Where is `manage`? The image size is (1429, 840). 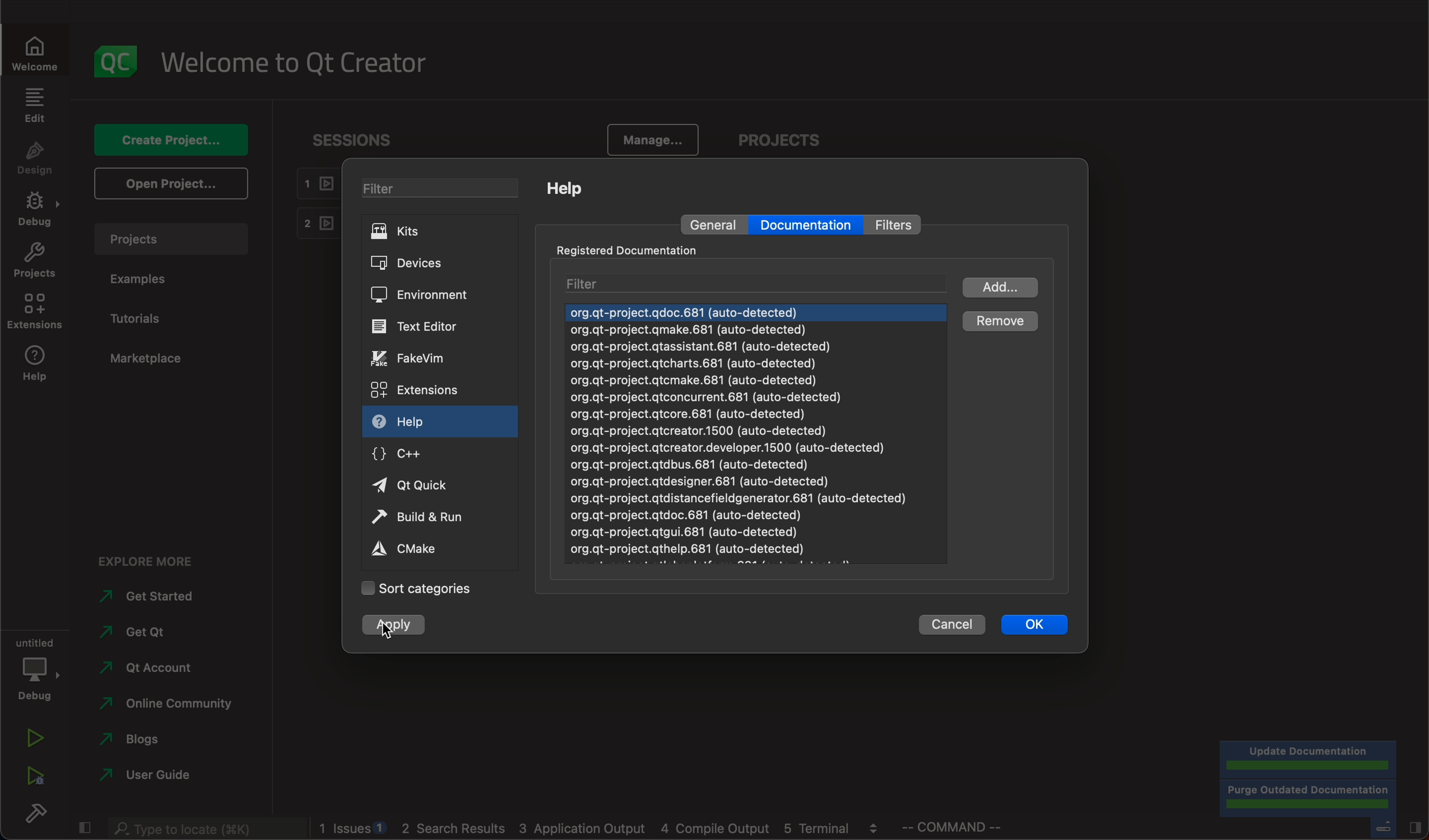 manage is located at coordinates (658, 141).